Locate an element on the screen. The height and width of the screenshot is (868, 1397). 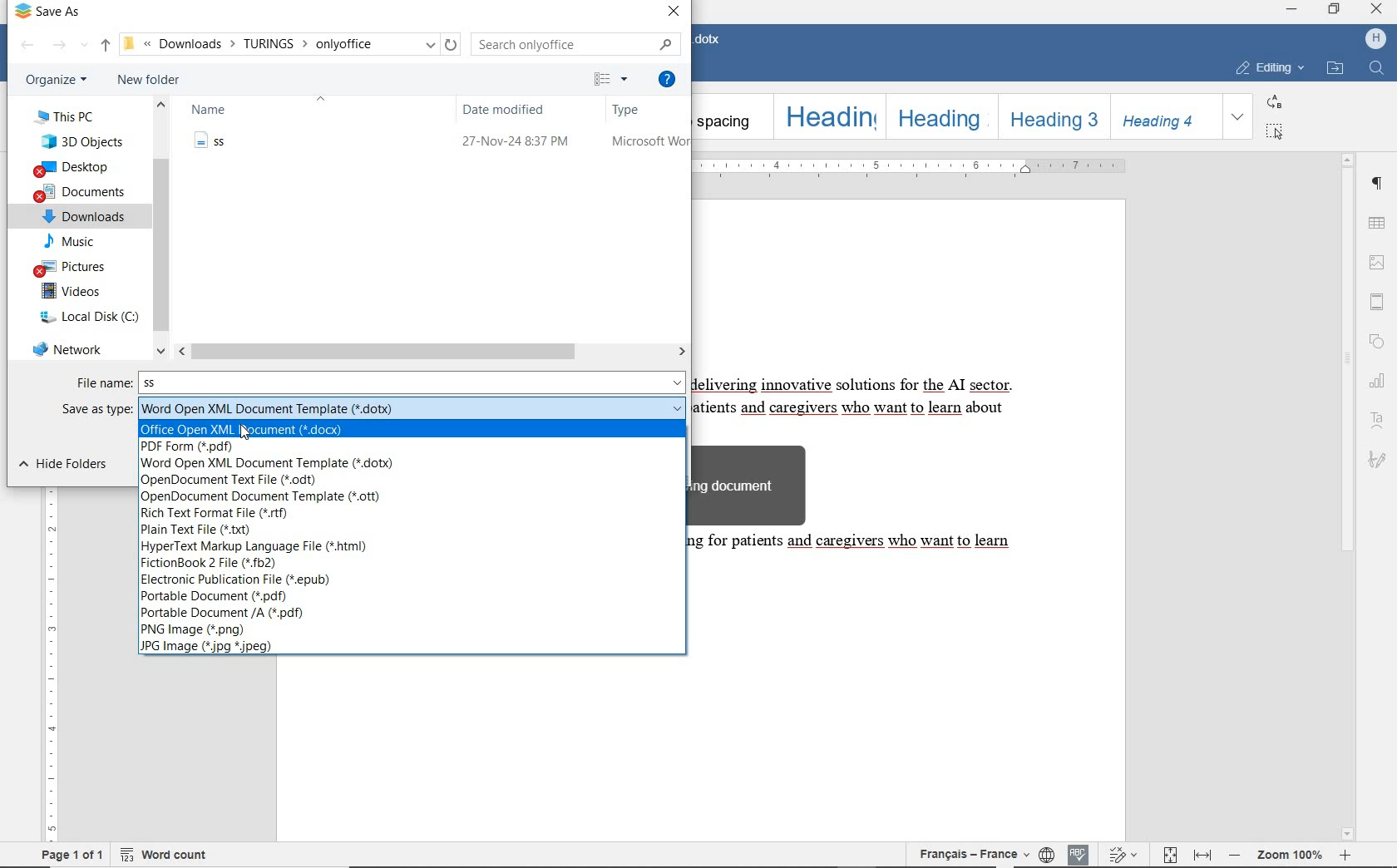
ss is located at coordinates (415, 382).